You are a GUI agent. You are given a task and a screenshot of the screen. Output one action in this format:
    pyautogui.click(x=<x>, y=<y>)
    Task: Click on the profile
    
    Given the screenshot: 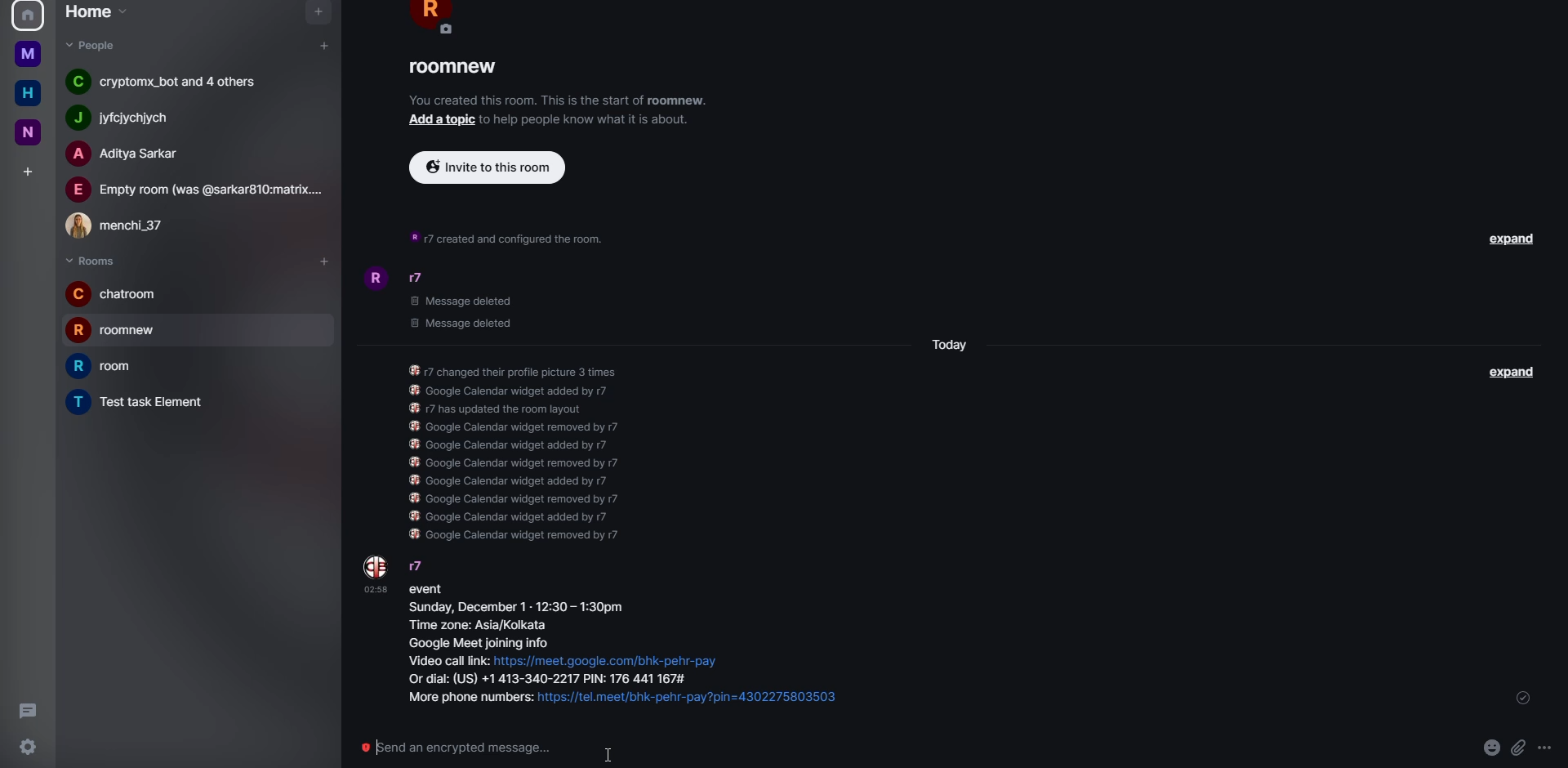 What is the action you would take?
    pyautogui.click(x=25, y=16)
    